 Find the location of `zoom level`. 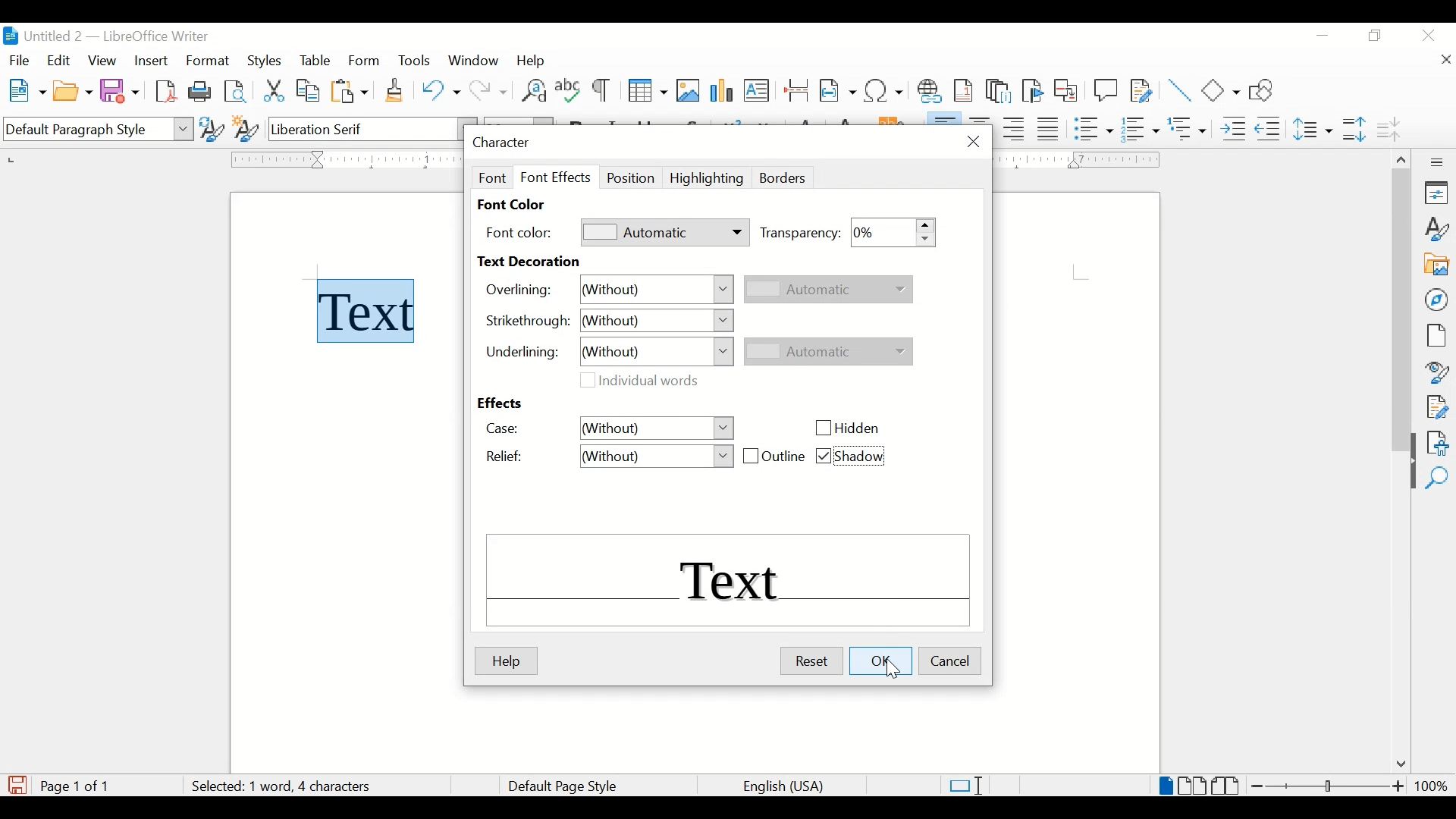

zoom level is located at coordinates (1431, 786).